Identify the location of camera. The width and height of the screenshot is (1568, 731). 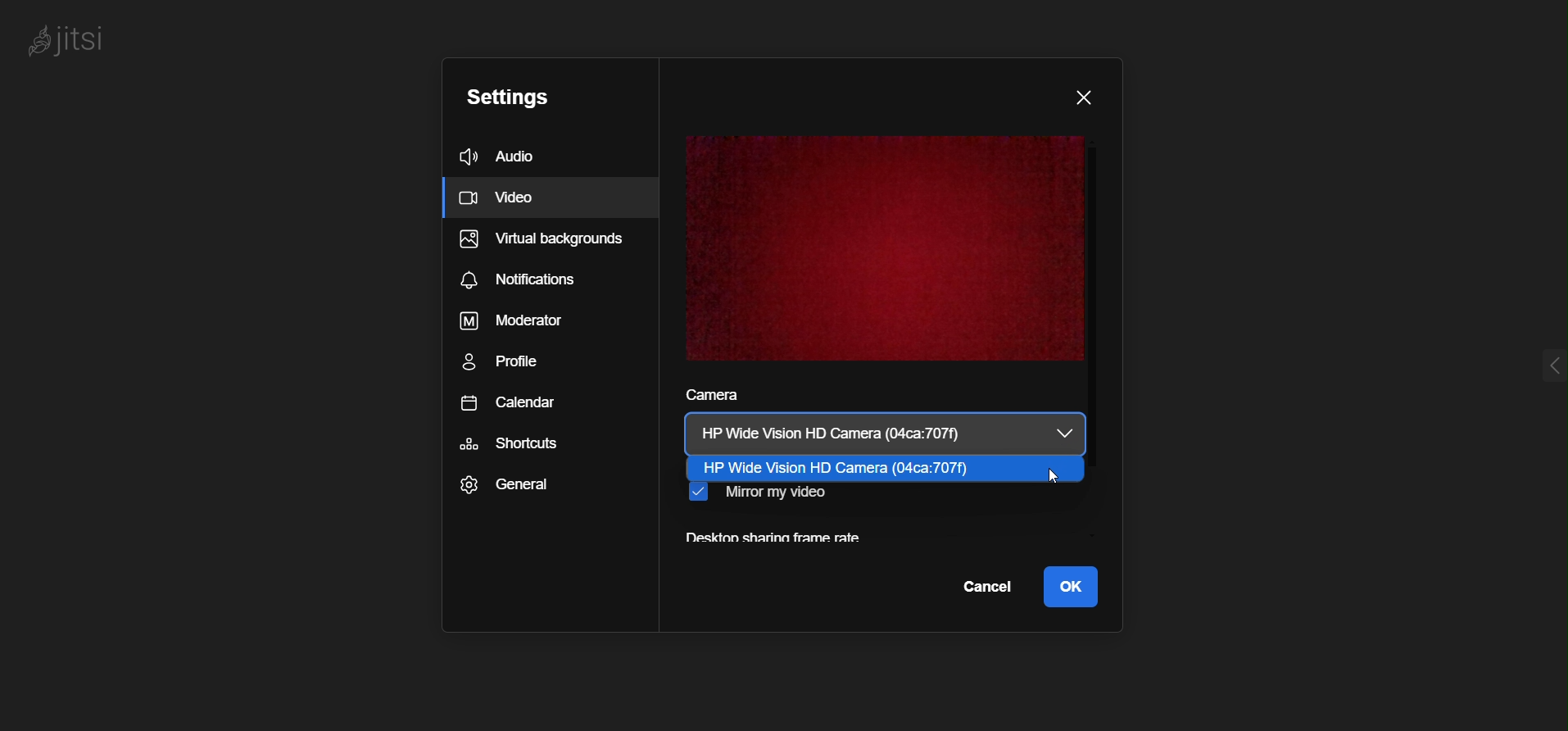
(857, 429).